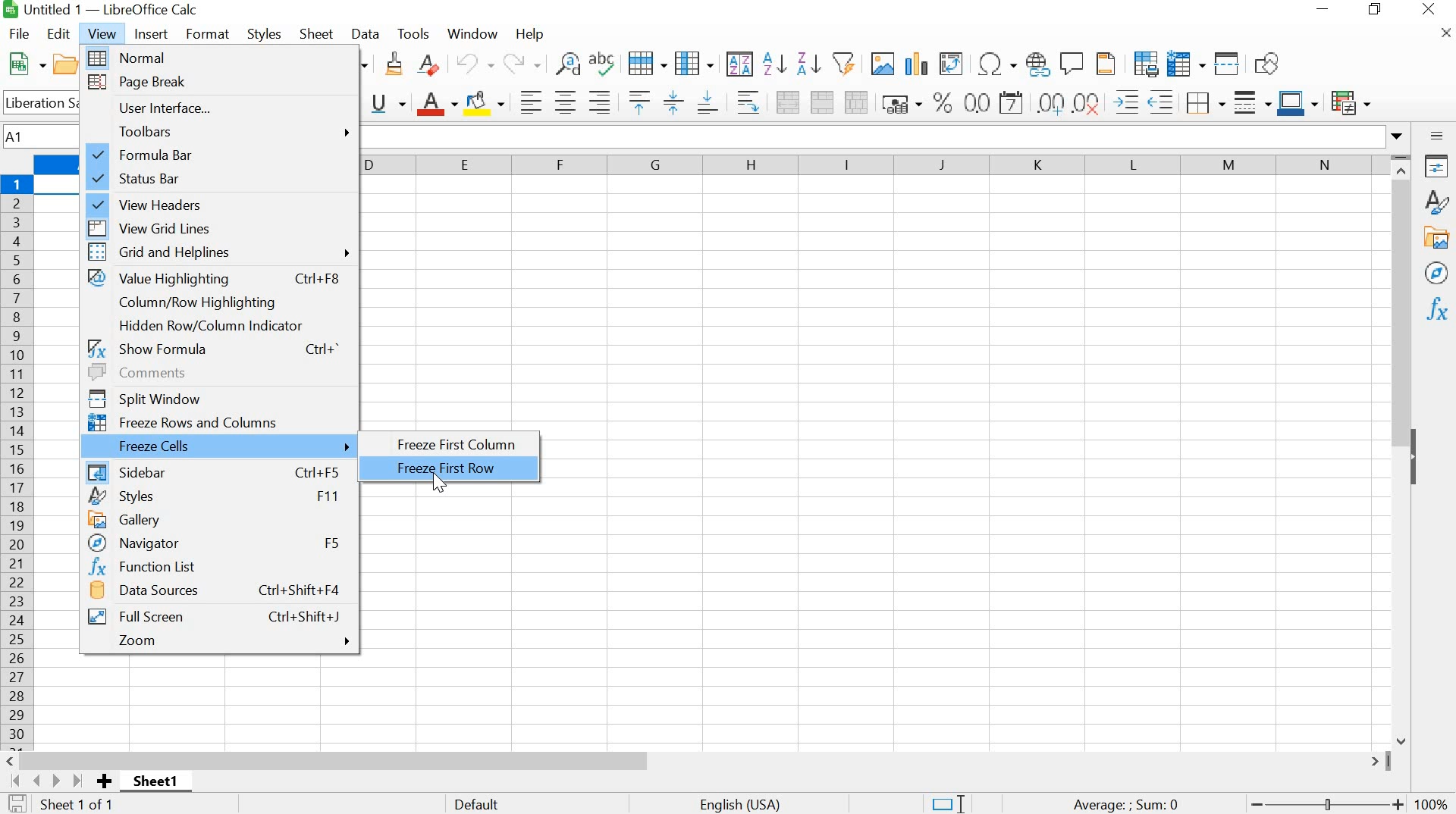 This screenshot has width=1456, height=814. What do you see at coordinates (1270, 64) in the screenshot?
I see `SHOW DRAW FUNCTIONS` at bounding box center [1270, 64].